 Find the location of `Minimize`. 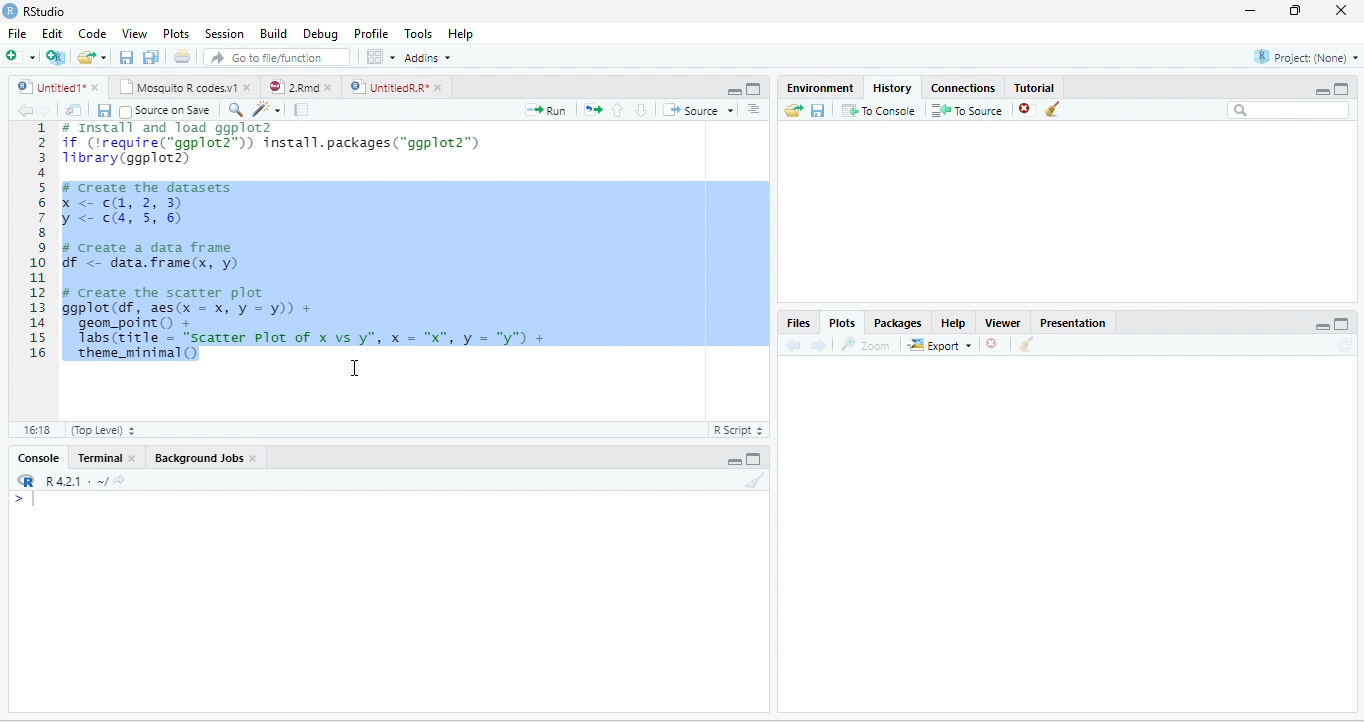

Minimize is located at coordinates (733, 461).